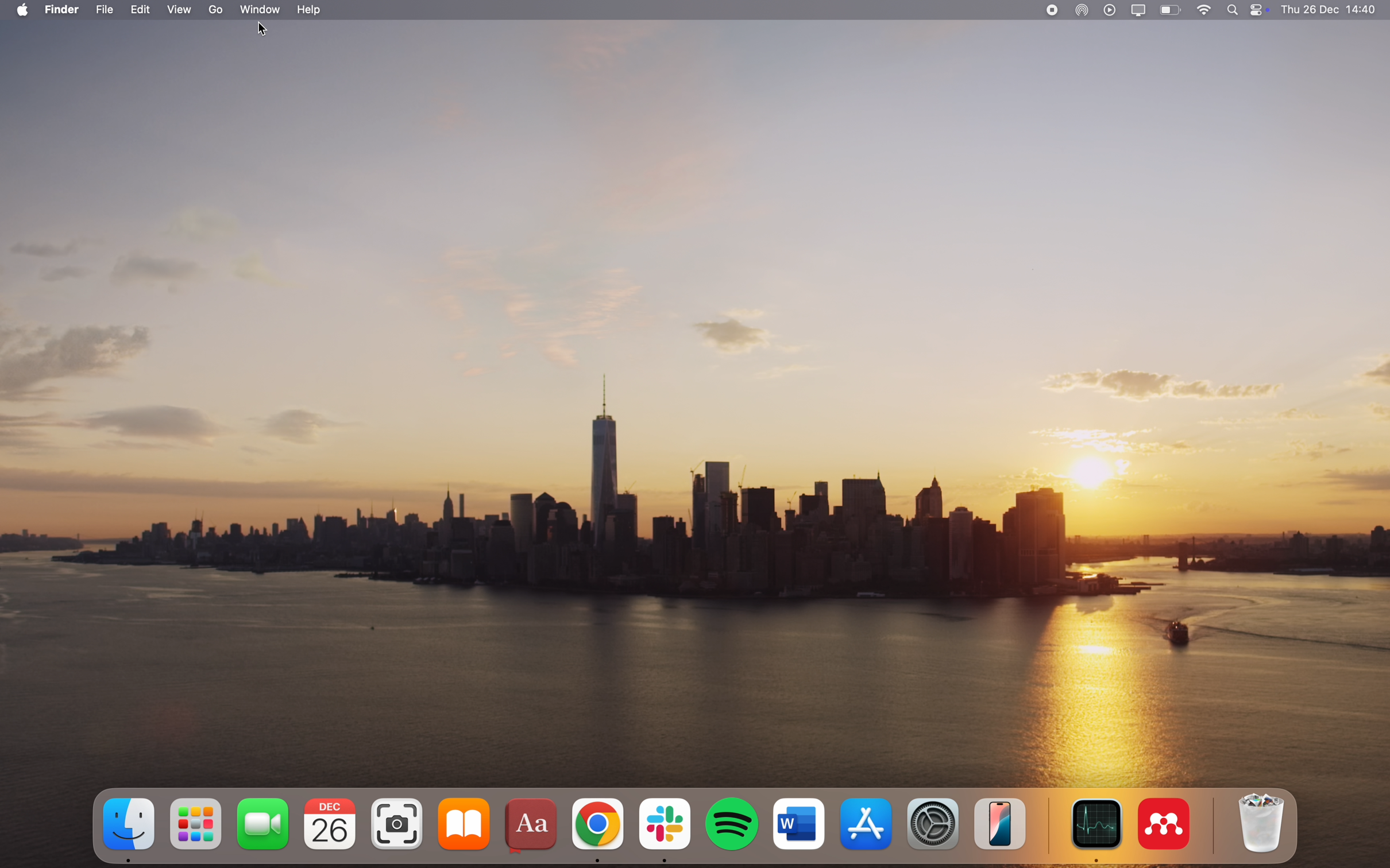 The image size is (1390, 868). Describe the element at coordinates (666, 828) in the screenshot. I see `Slack` at that location.